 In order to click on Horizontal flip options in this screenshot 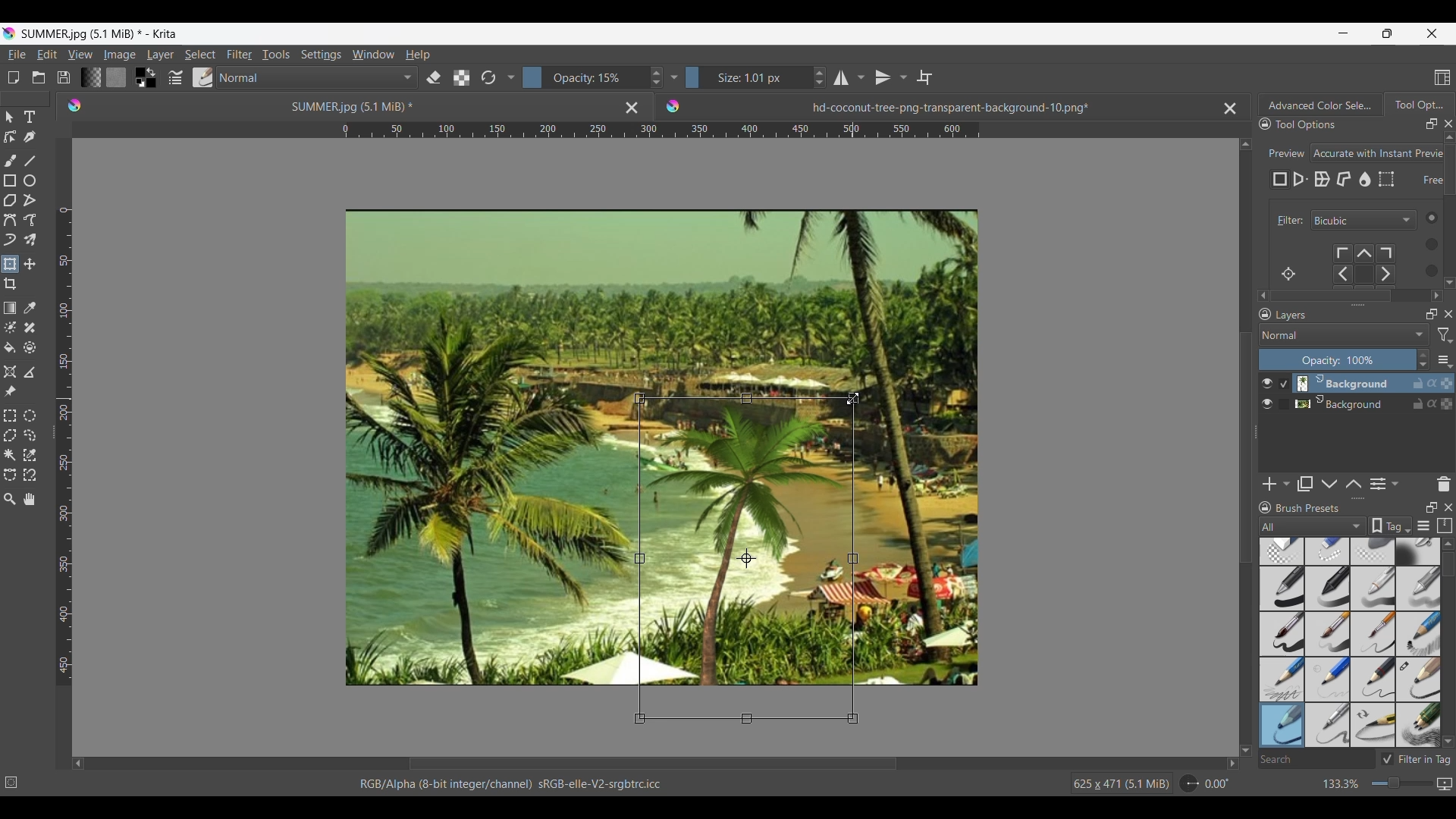, I will do `click(861, 77)`.